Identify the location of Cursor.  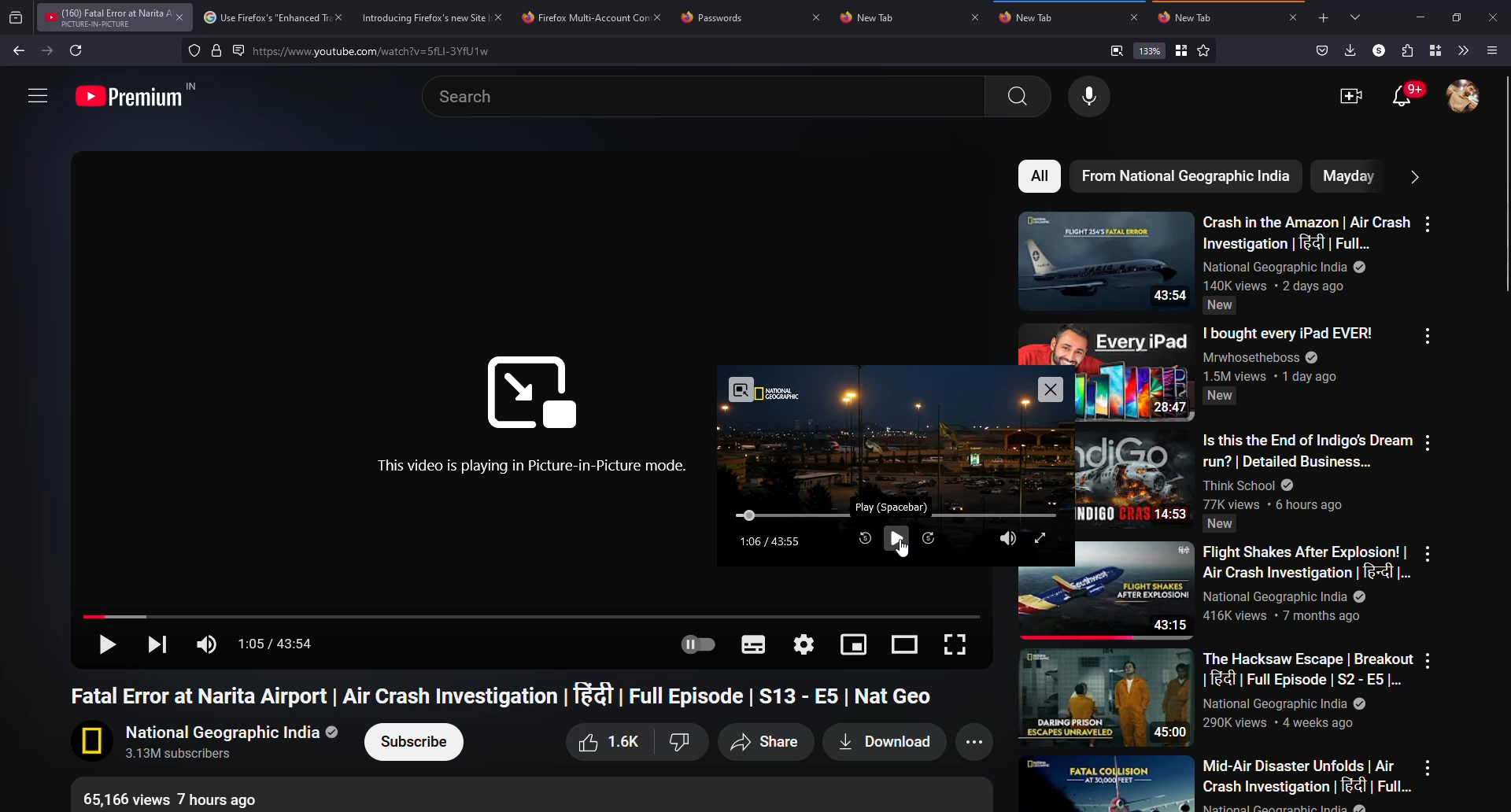
(903, 548).